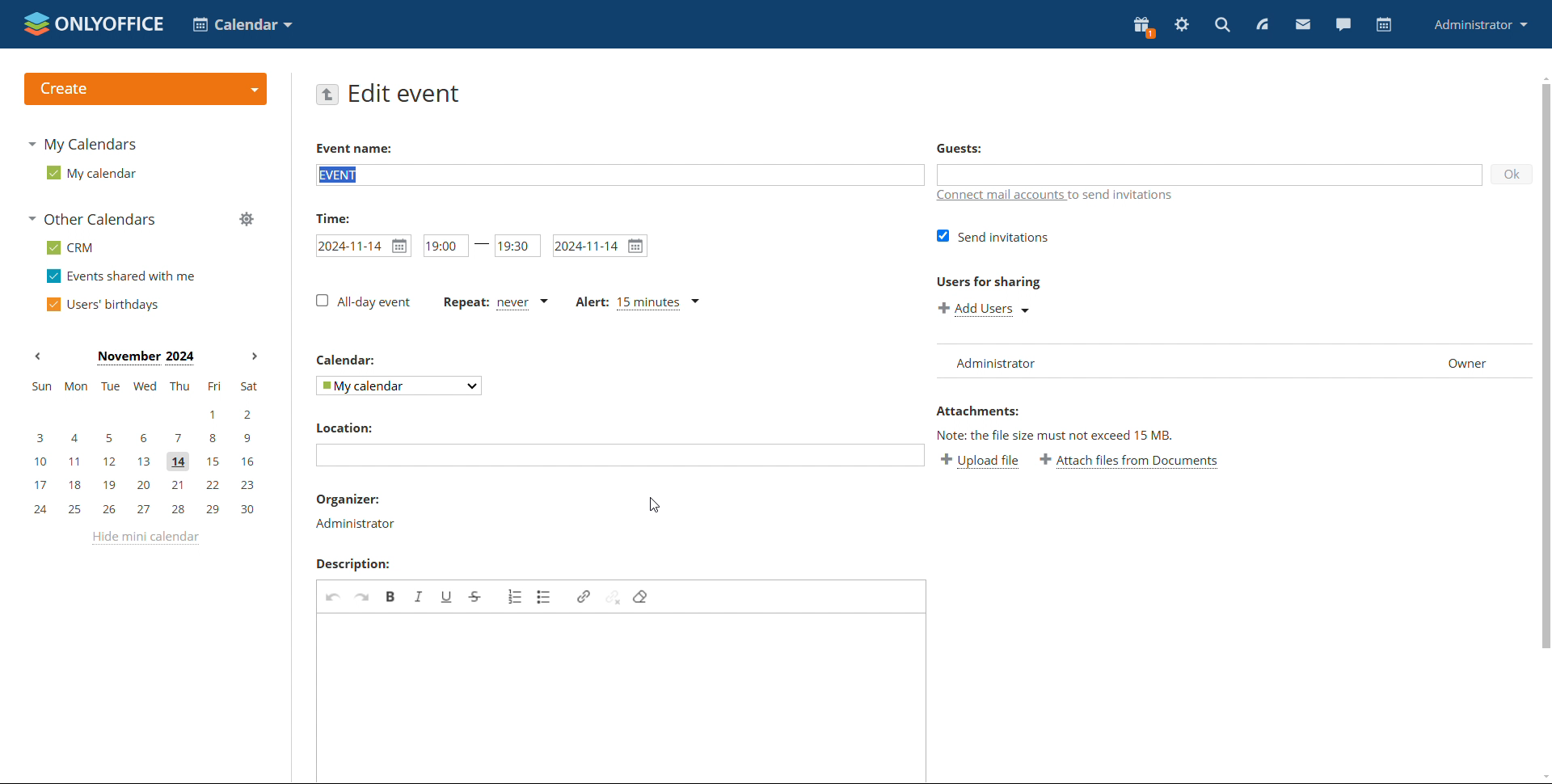 This screenshot has height=784, width=1552. I want to click on insert/remove bulleted list, so click(546, 596).